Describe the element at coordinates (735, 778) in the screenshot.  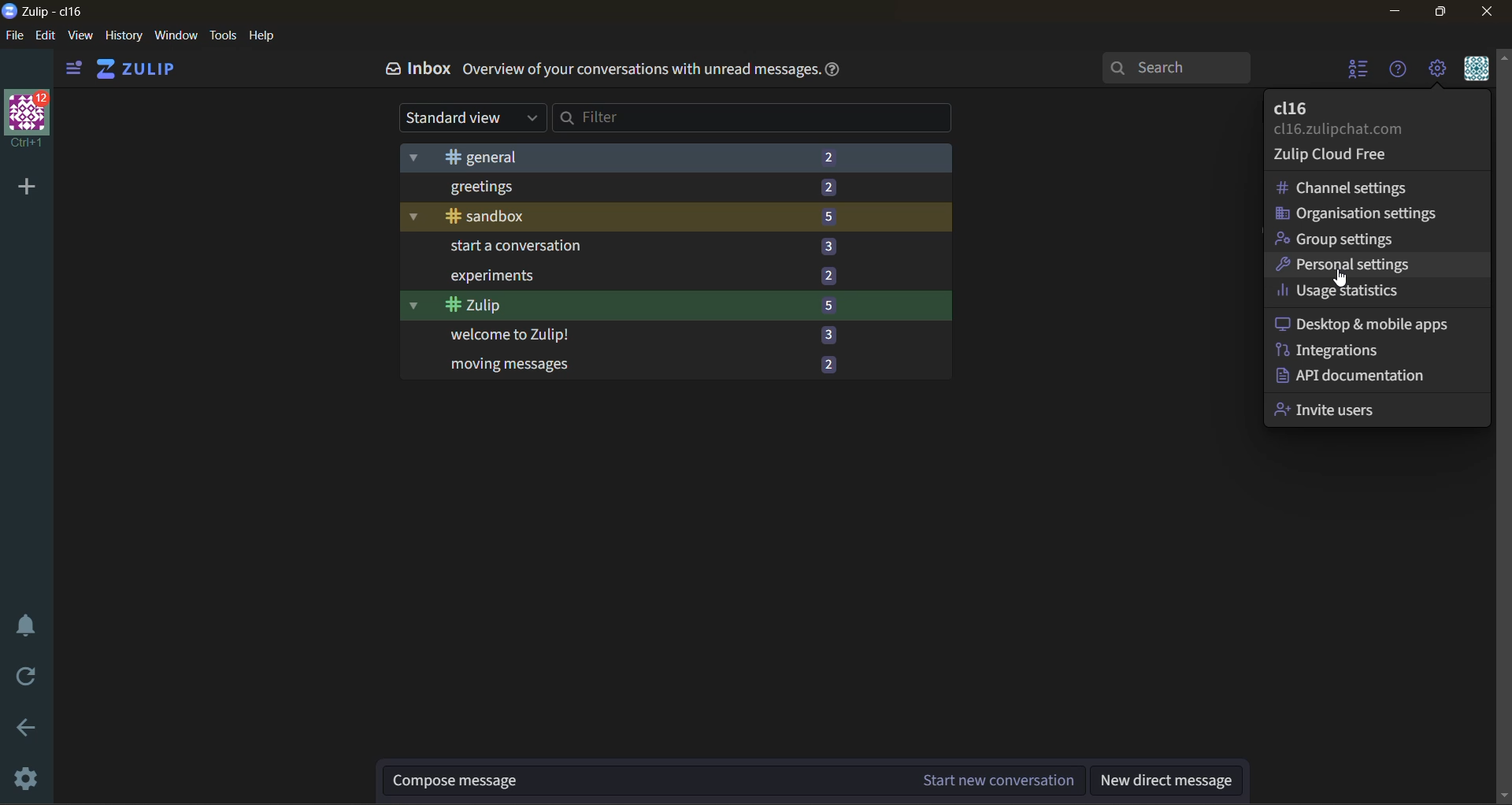
I see `compose message` at that location.